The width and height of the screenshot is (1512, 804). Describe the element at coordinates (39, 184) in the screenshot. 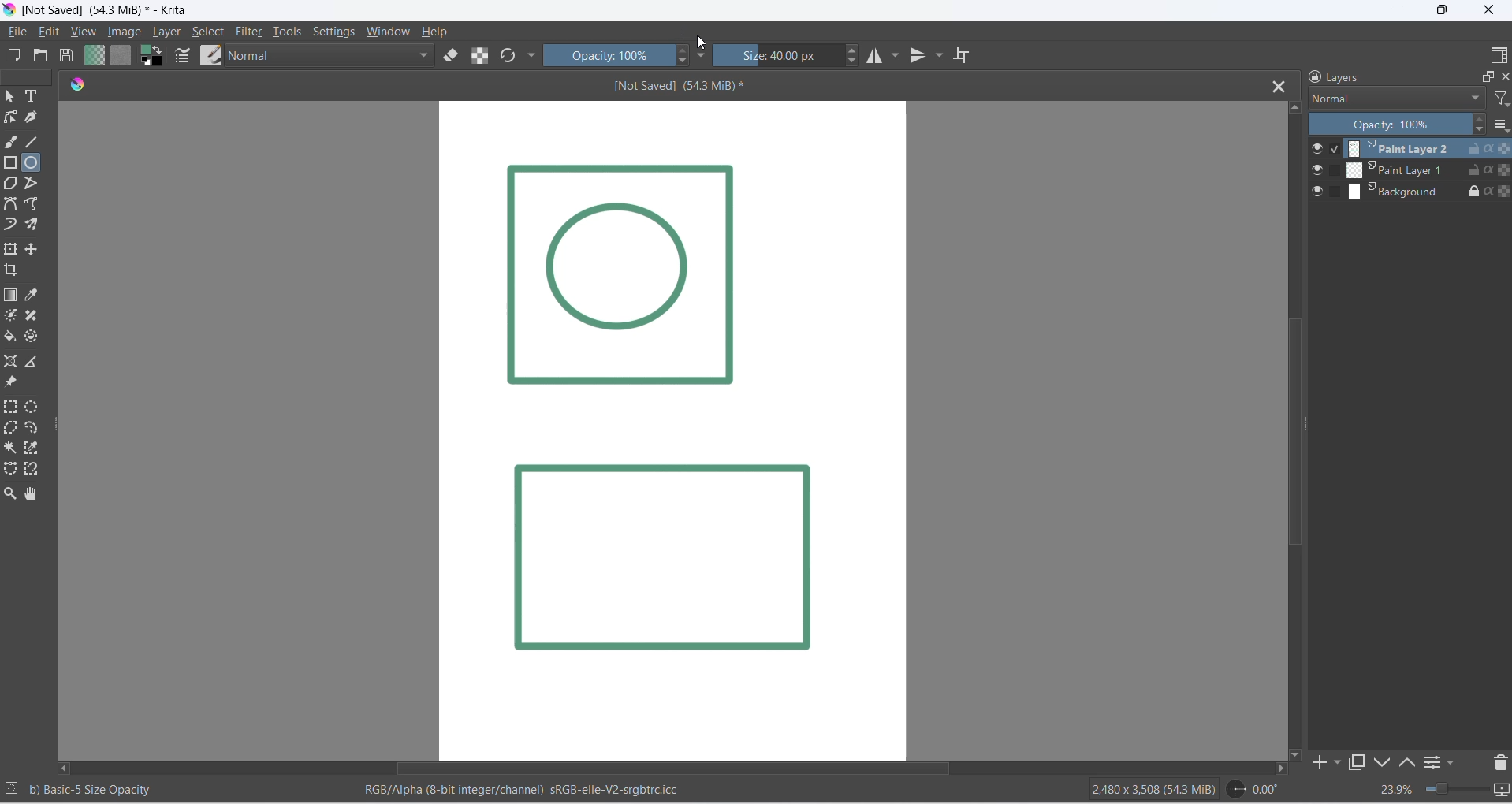

I see `polyline tool` at that location.